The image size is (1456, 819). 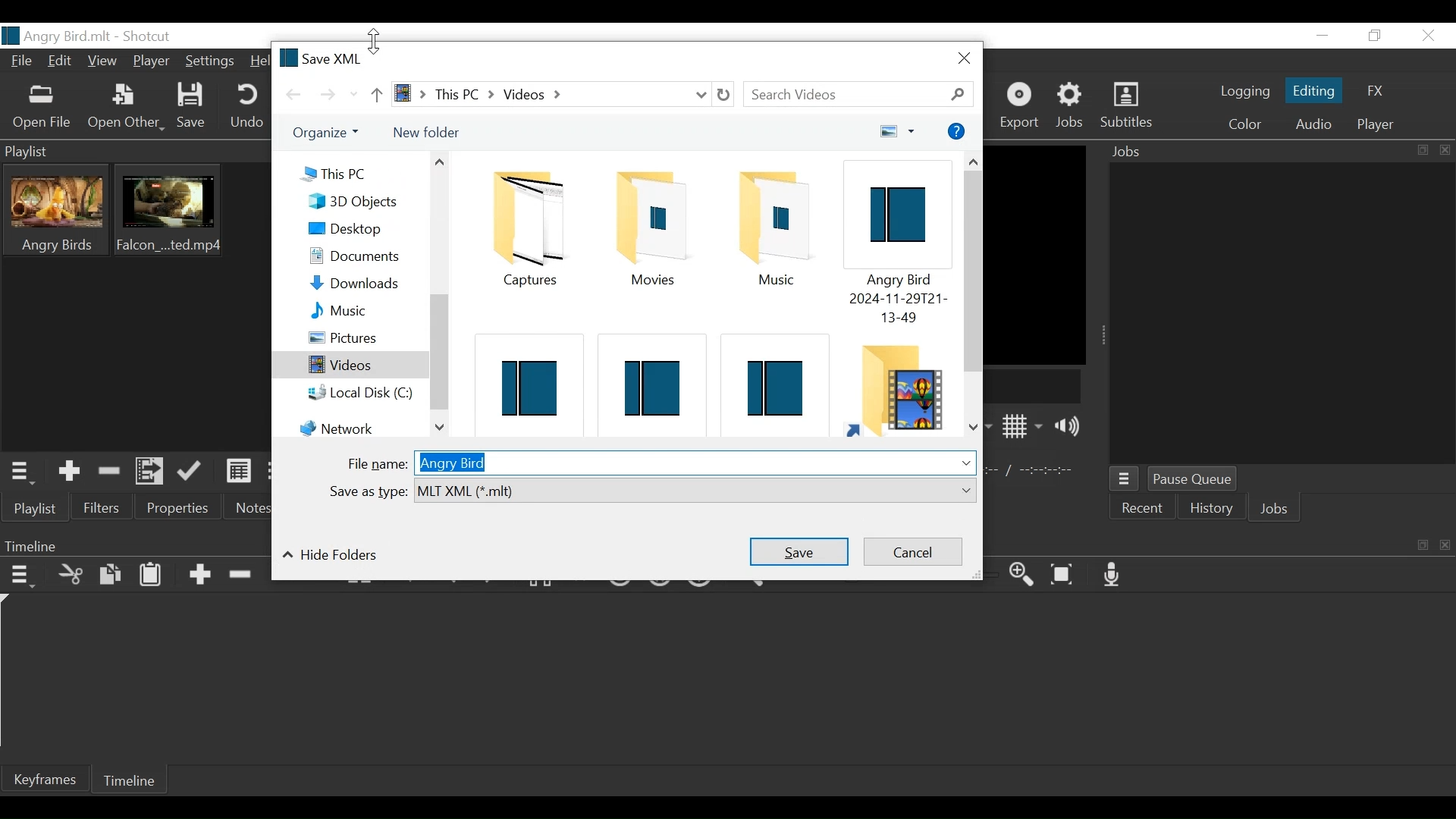 What do you see at coordinates (145, 37) in the screenshot?
I see `Shotcut` at bounding box center [145, 37].